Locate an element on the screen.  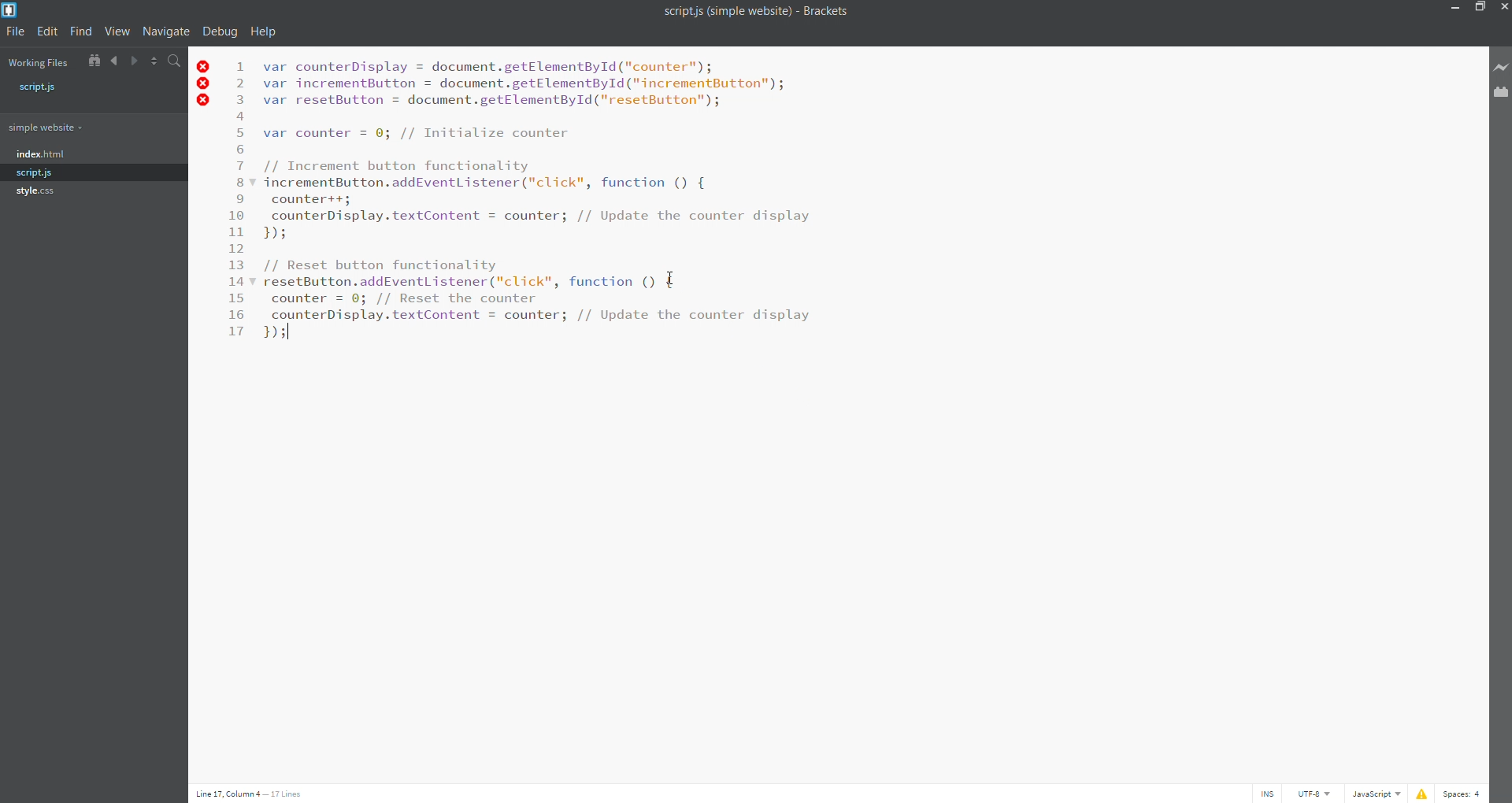
find is located at coordinates (80, 31).